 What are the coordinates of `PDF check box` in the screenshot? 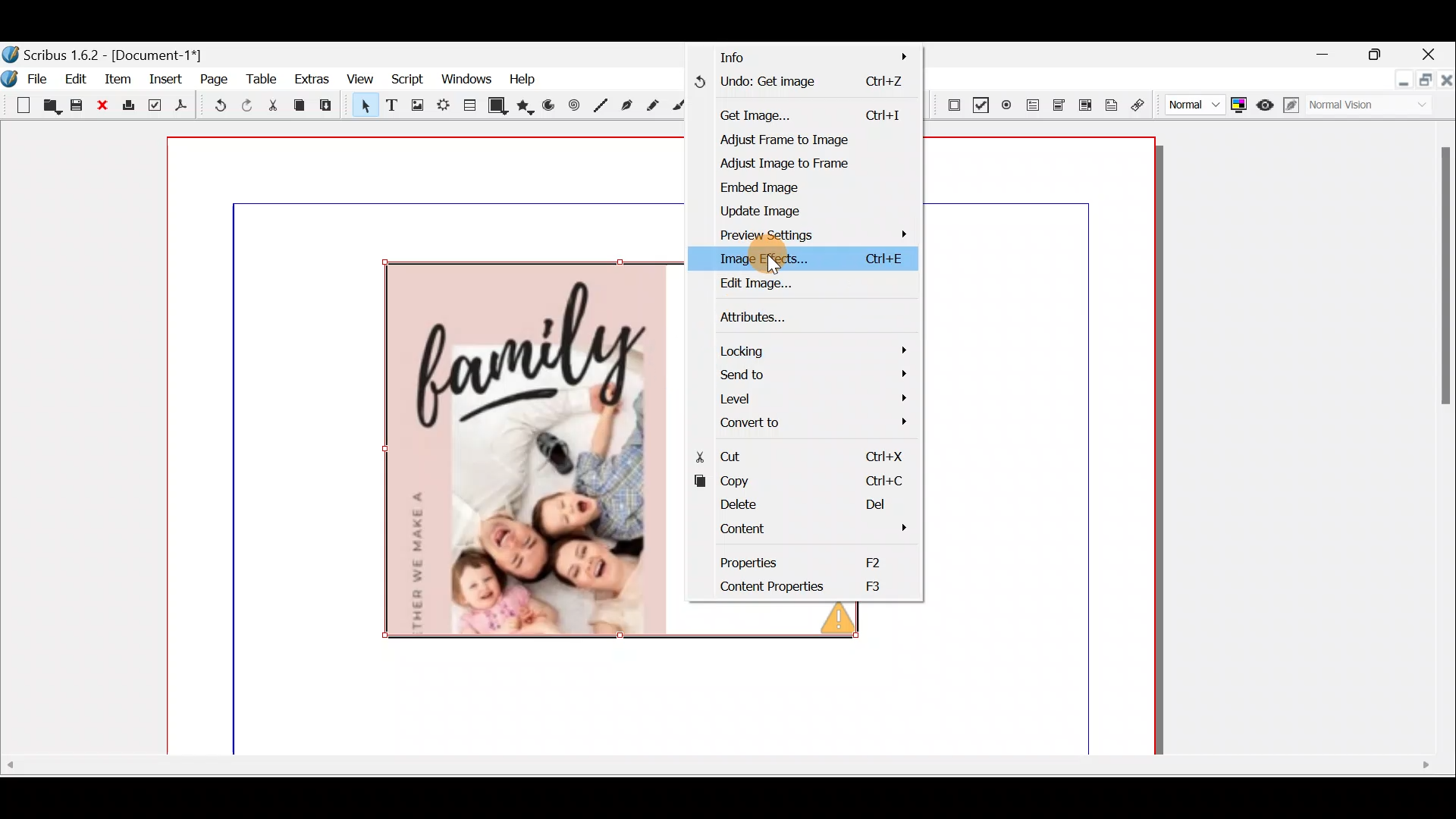 It's located at (978, 104).